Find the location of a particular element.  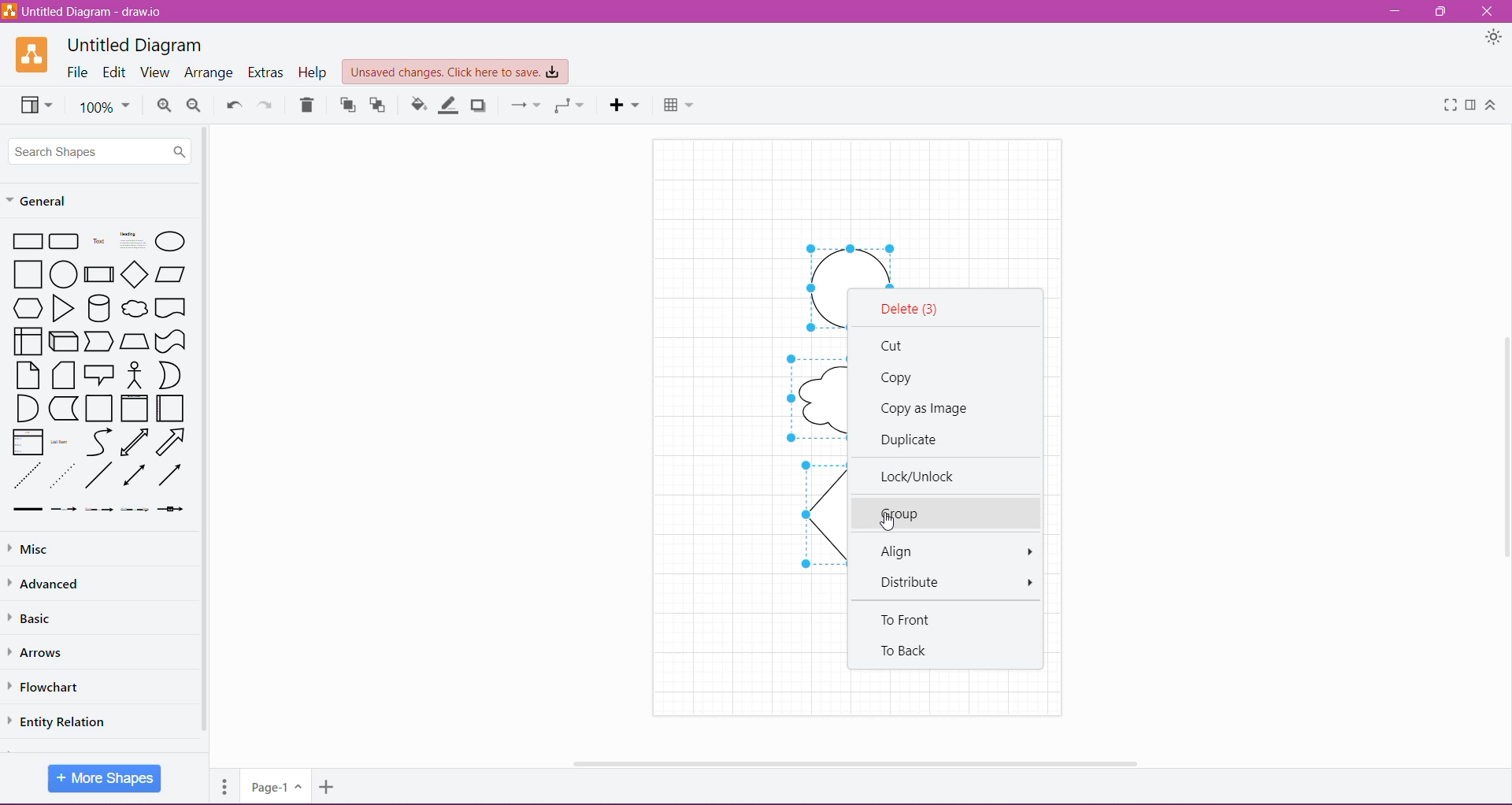

Basic is located at coordinates (39, 618).